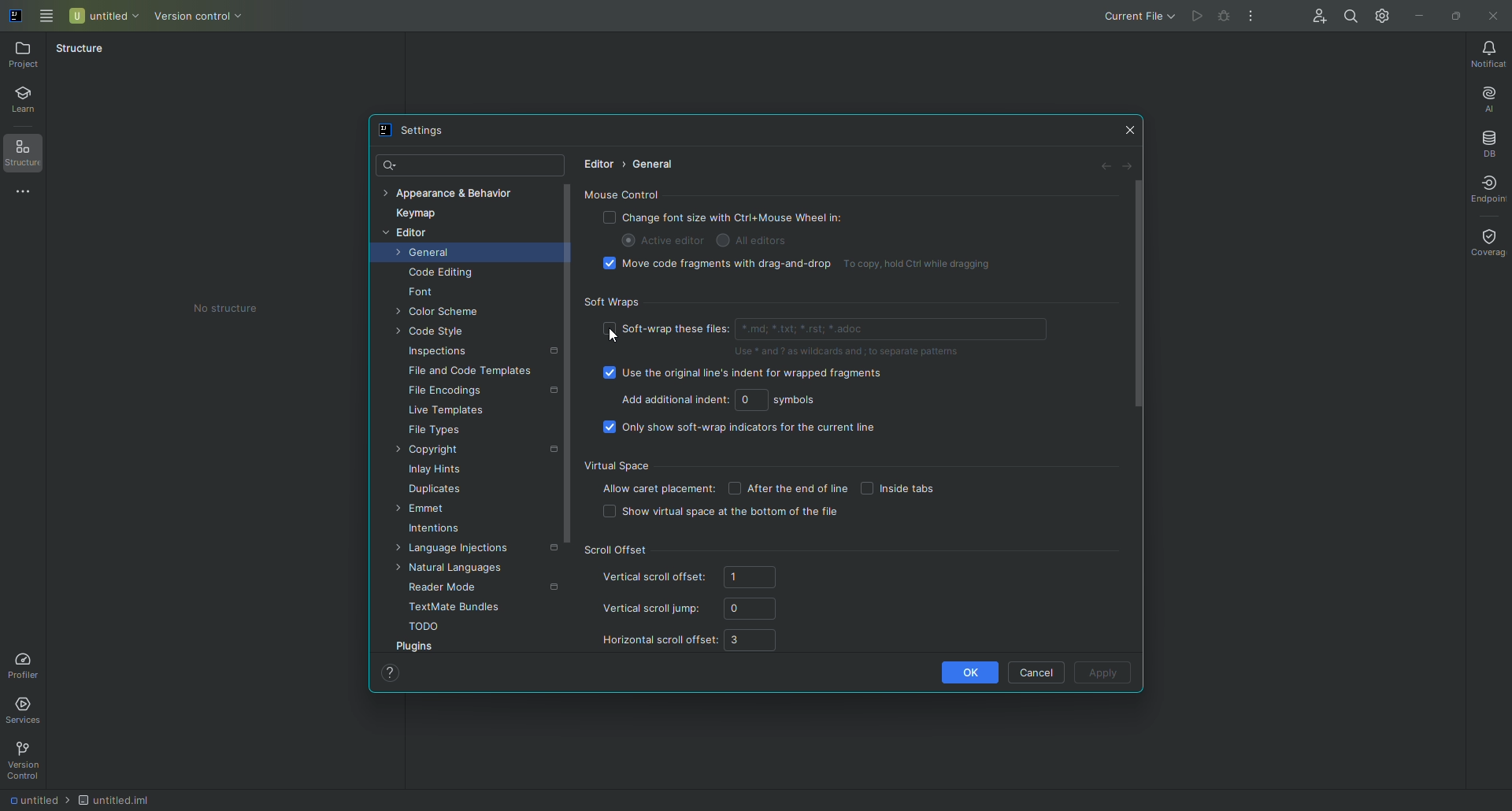  What do you see at coordinates (424, 510) in the screenshot?
I see `Emmet` at bounding box center [424, 510].